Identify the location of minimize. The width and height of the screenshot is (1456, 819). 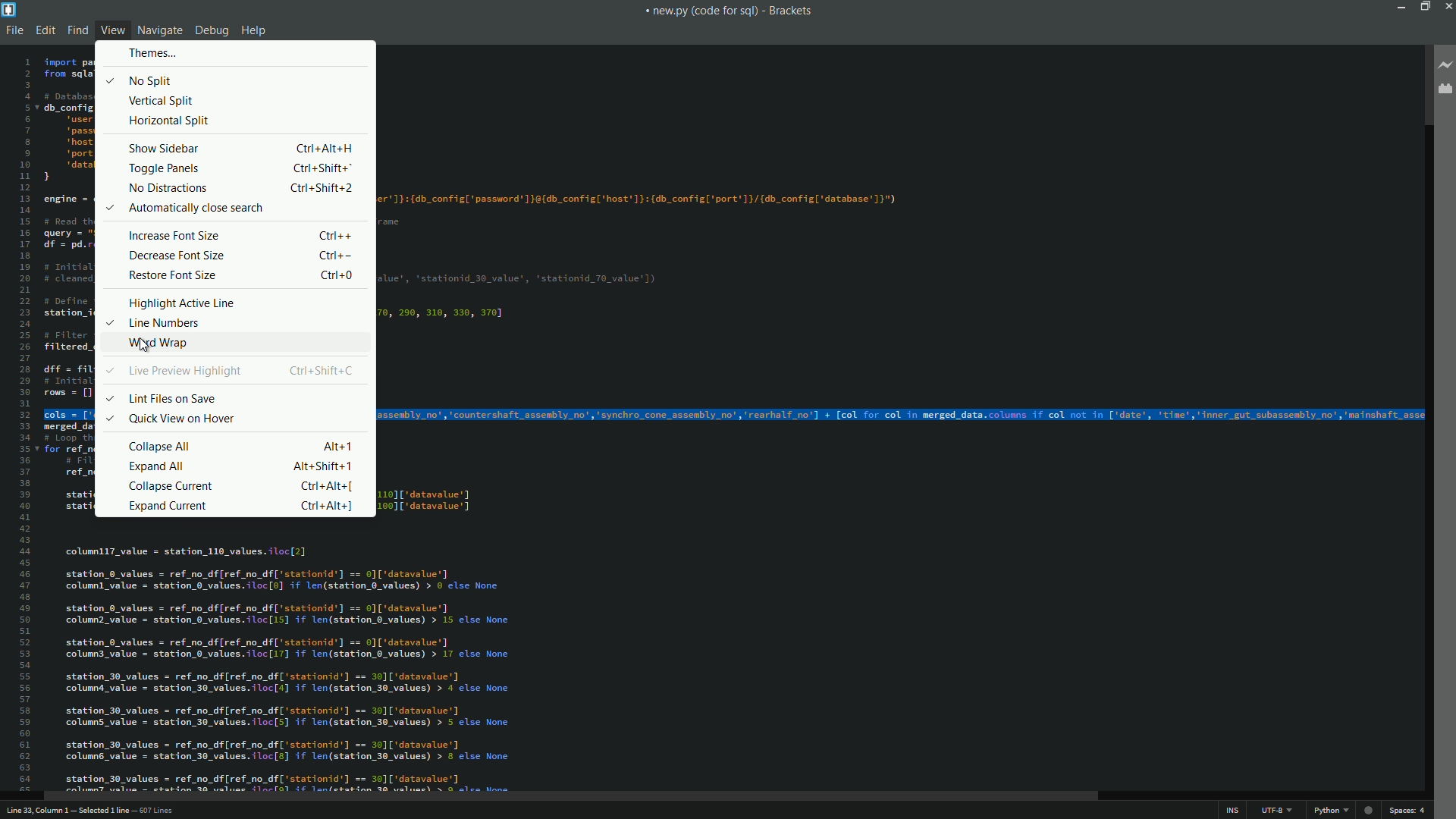
(1398, 6).